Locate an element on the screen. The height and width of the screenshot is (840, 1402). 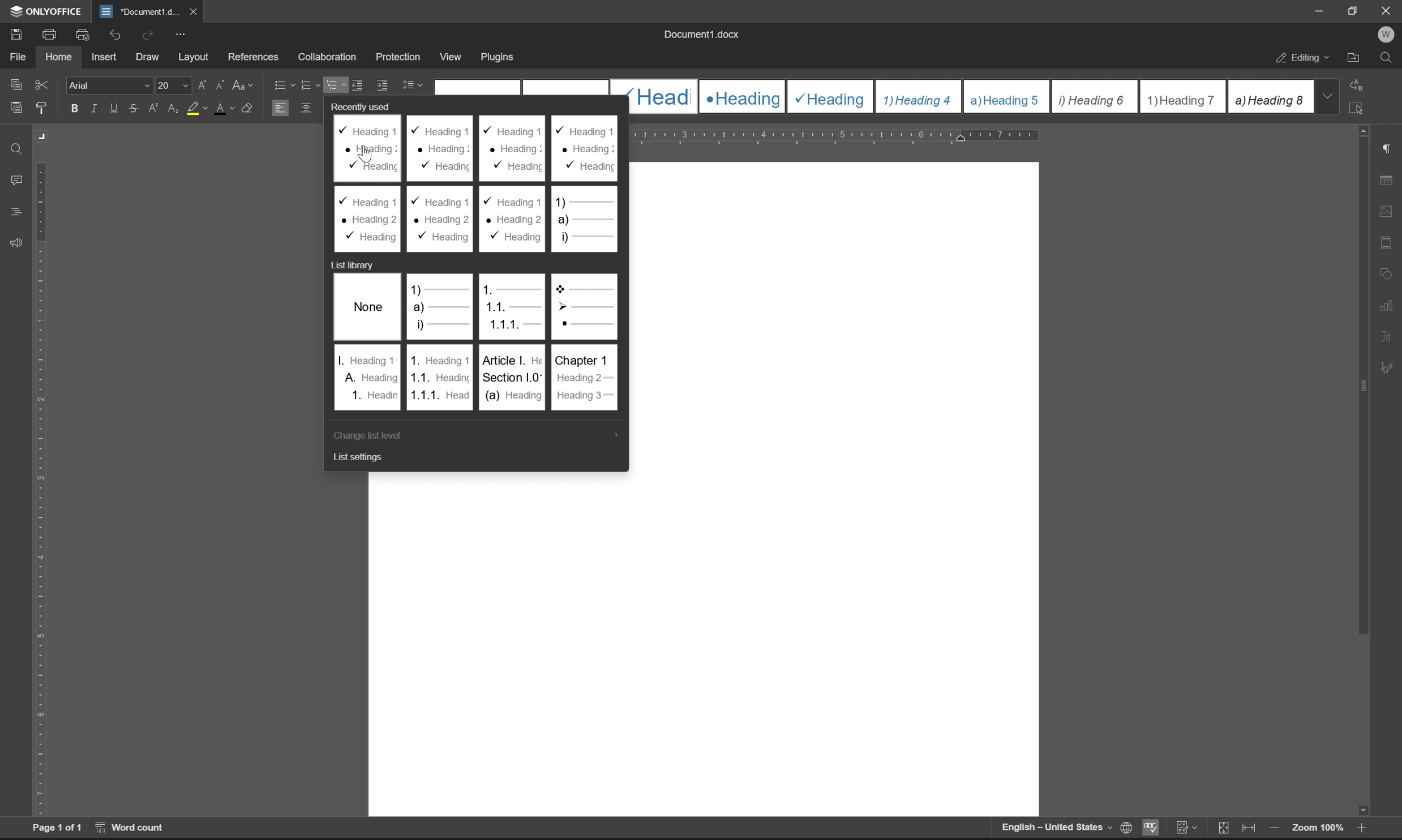
bullets is located at coordinates (282, 84).